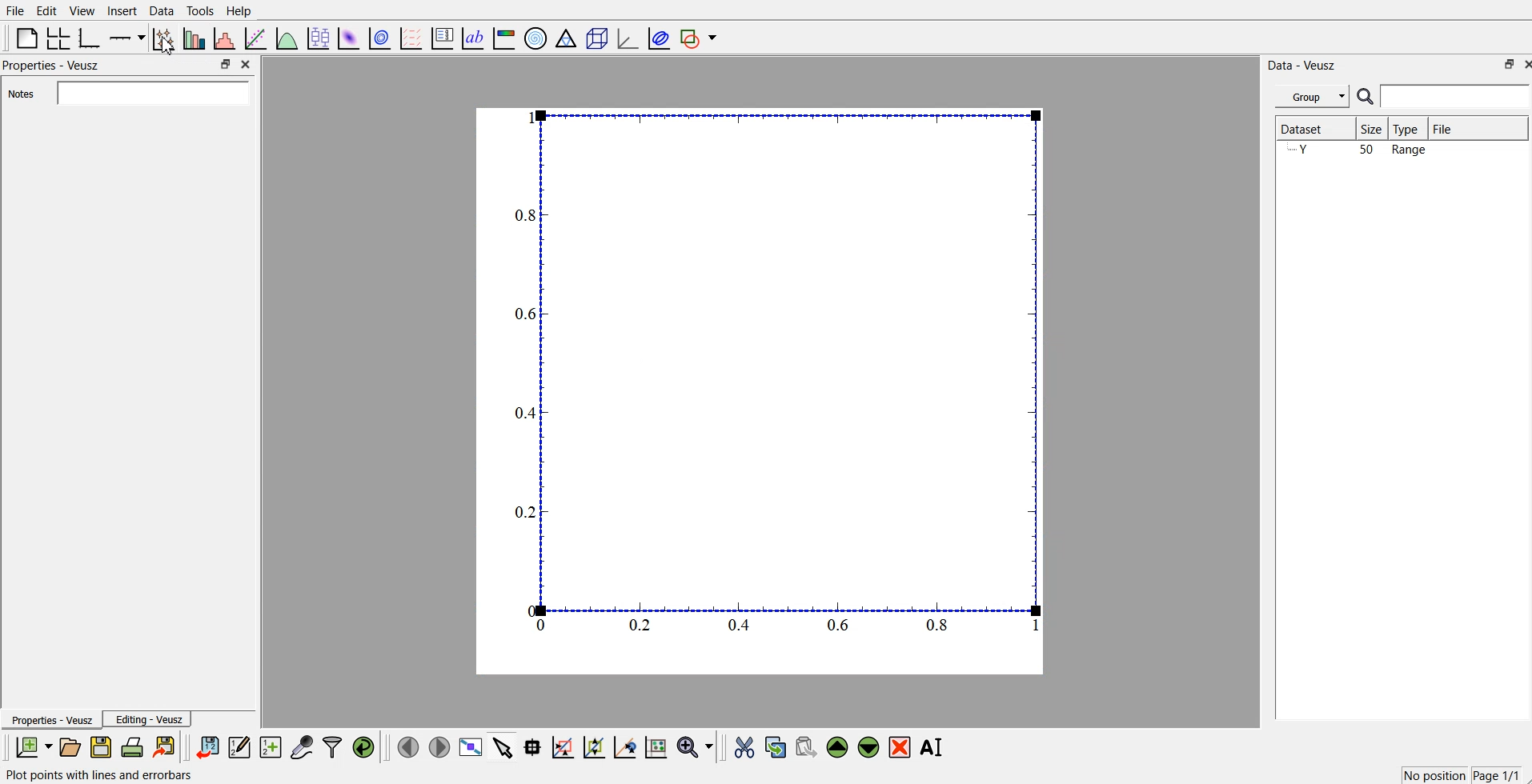 The image size is (1532, 784). I want to click on search bar, so click(1443, 96).